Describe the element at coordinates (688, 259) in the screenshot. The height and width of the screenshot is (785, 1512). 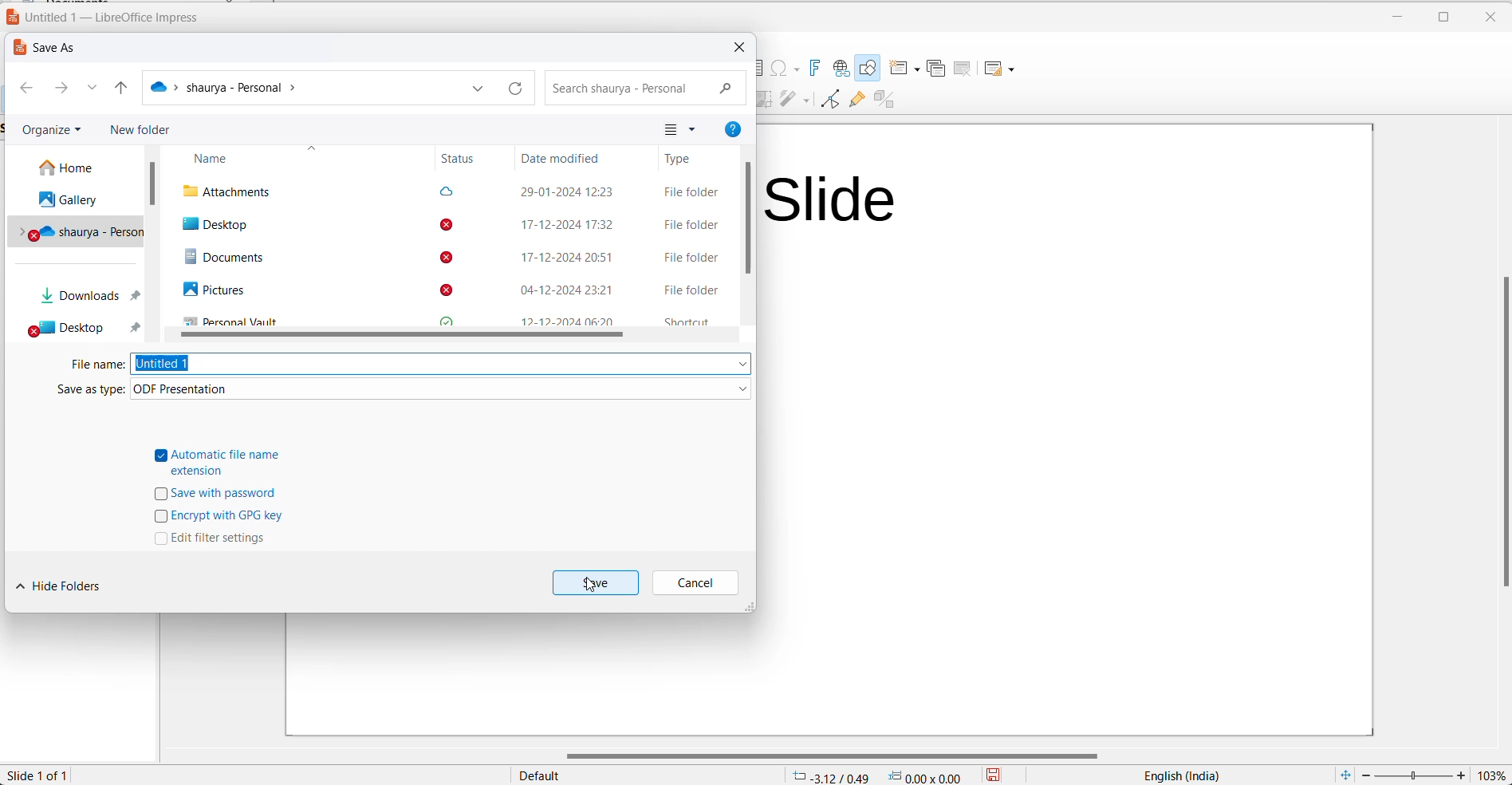
I see `File folder` at that location.